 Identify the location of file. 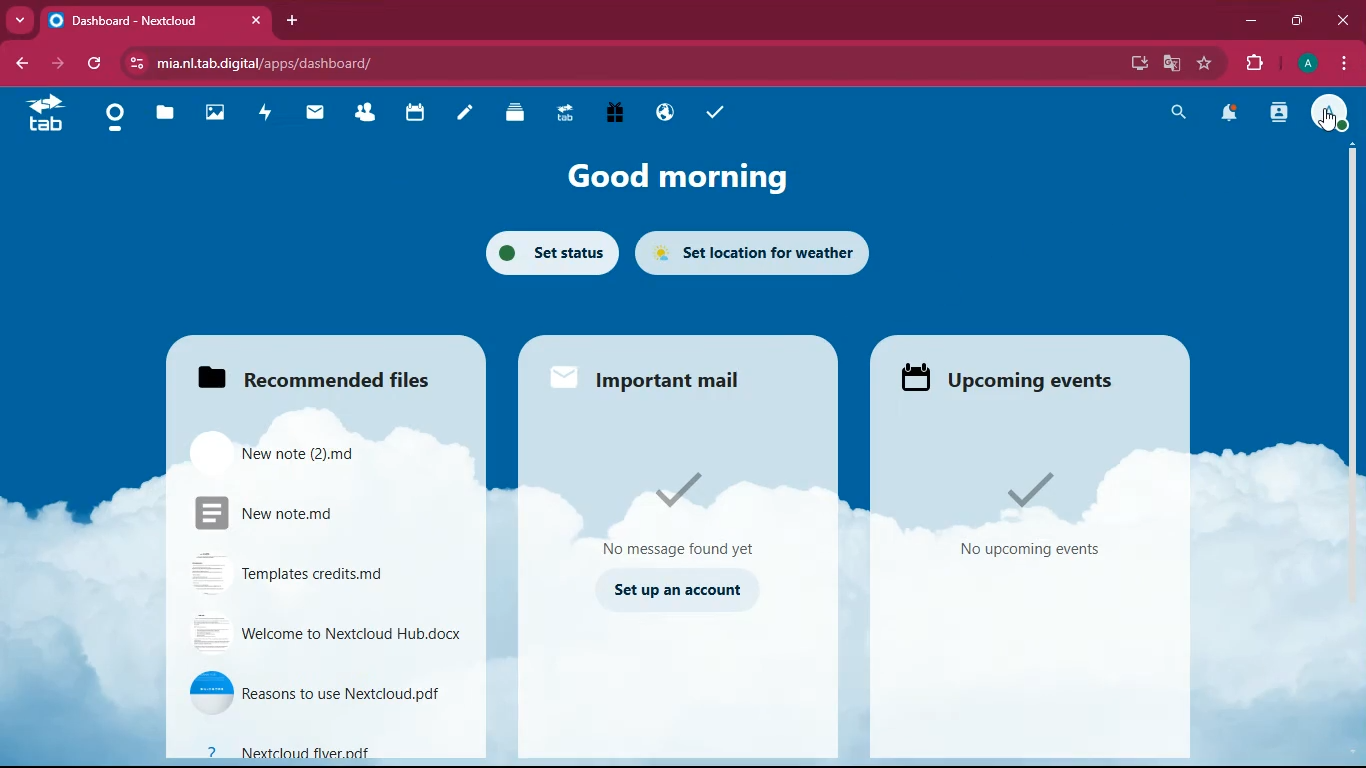
(311, 456).